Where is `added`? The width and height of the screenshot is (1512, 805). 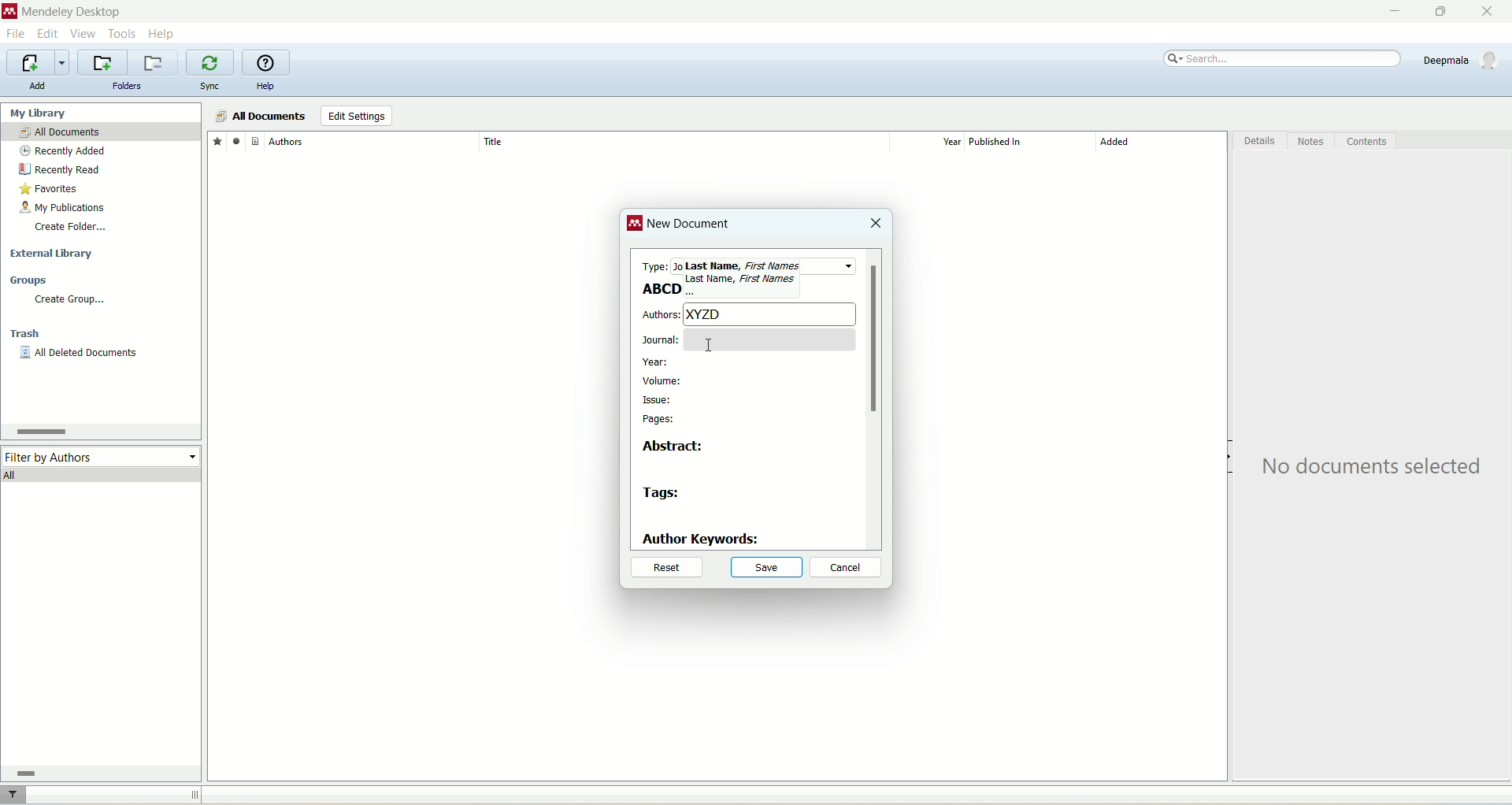
added is located at coordinates (1162, 146).